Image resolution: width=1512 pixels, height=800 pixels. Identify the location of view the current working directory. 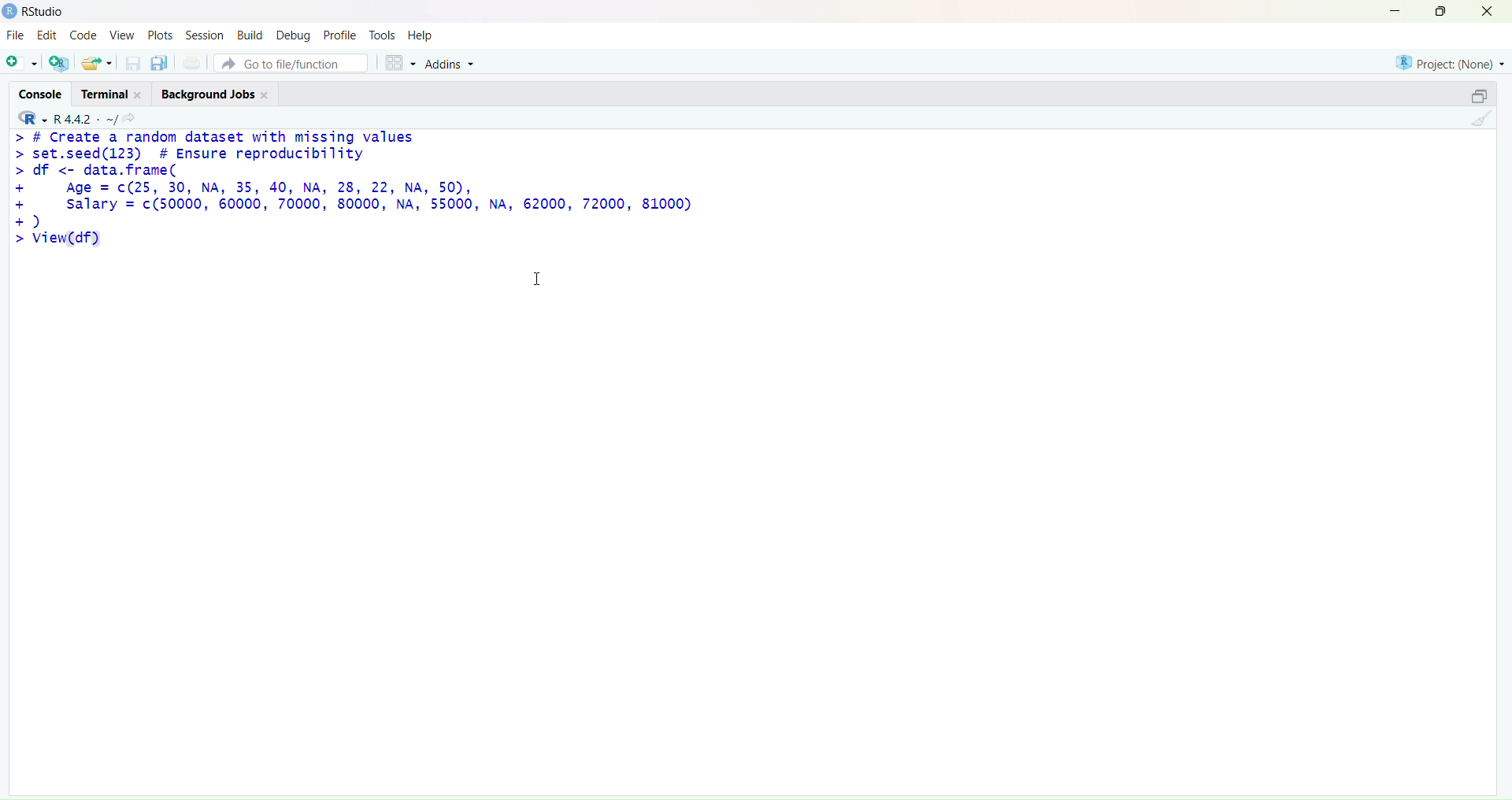
(130, 118).